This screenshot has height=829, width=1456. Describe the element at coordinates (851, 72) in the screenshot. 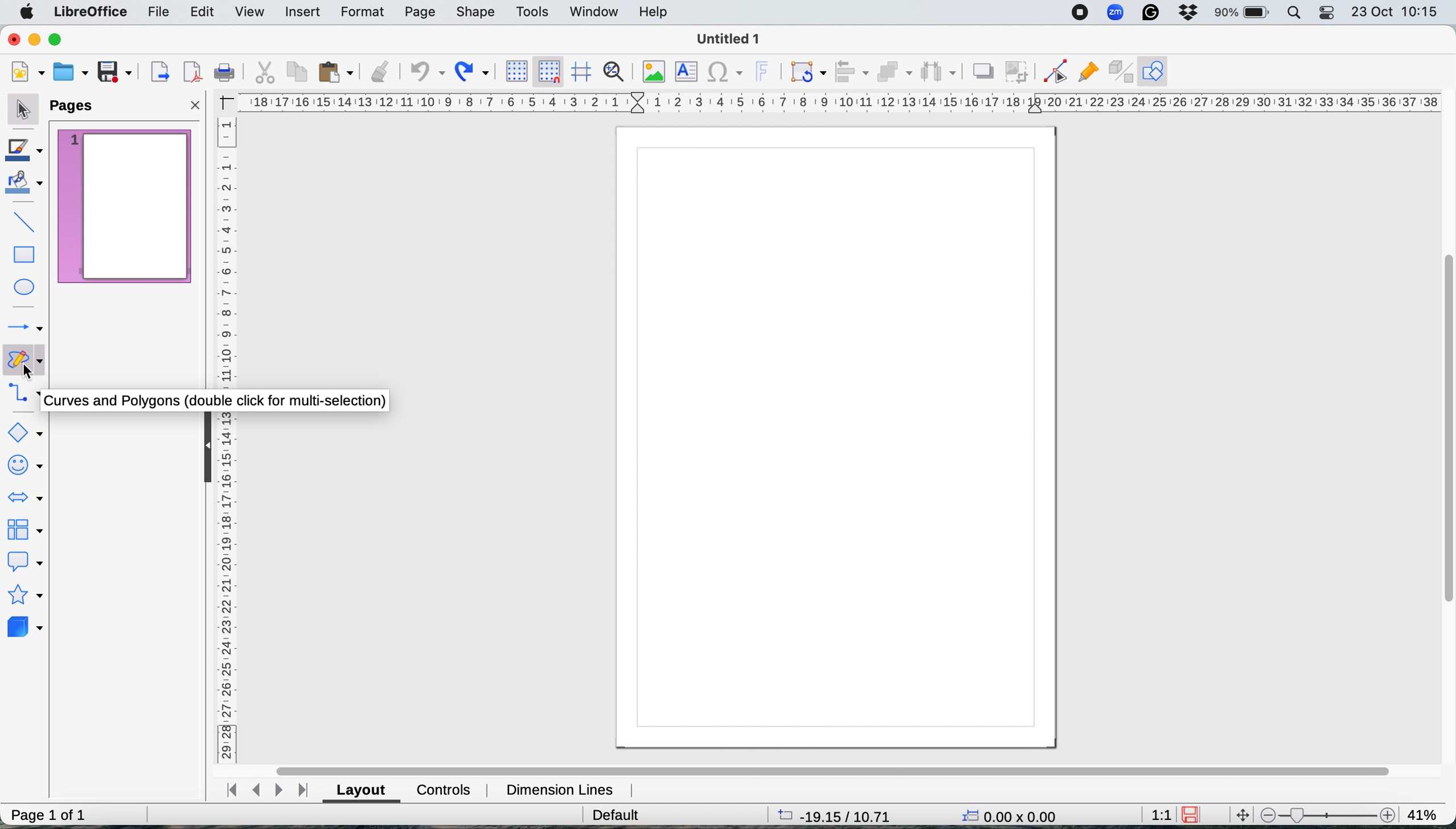

I see `align objects` at that location.